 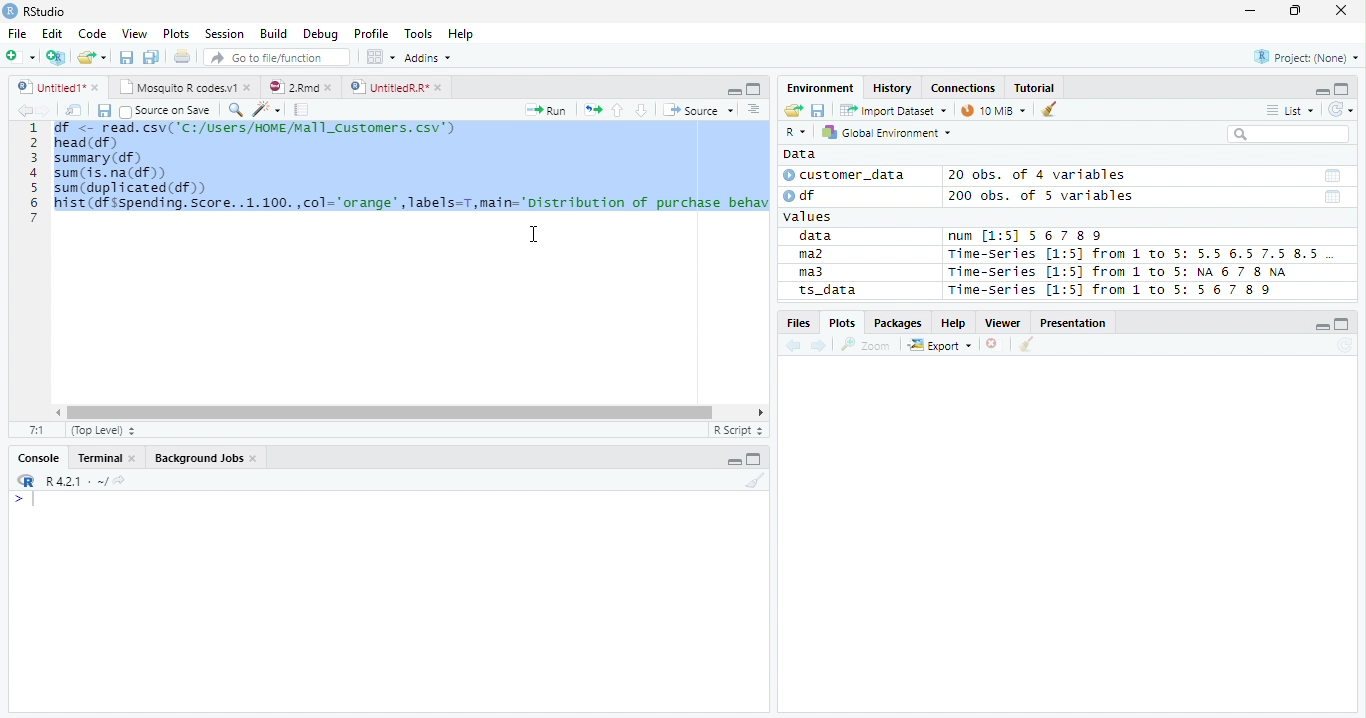 What do you see at coordinates (816, 256) in the screenshot?
I see `ma2` at bounding box center [816, 256].